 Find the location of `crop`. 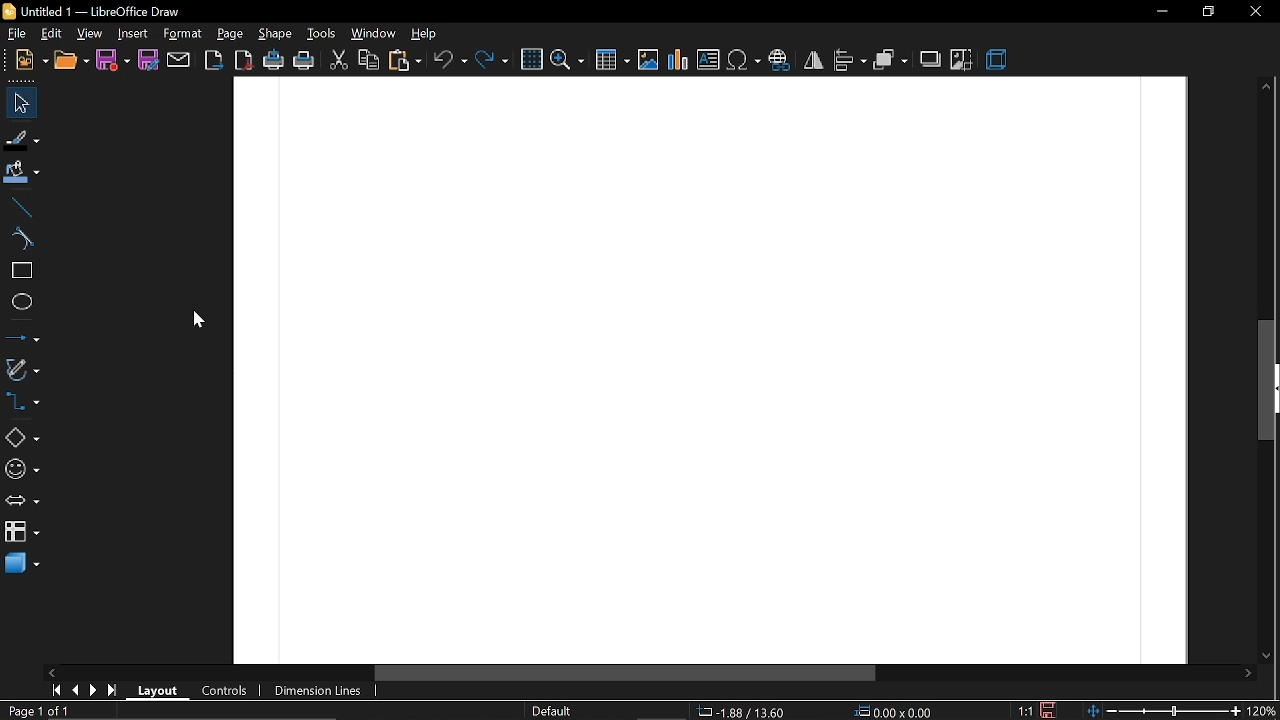

crop is located at coordinates (962, 62).